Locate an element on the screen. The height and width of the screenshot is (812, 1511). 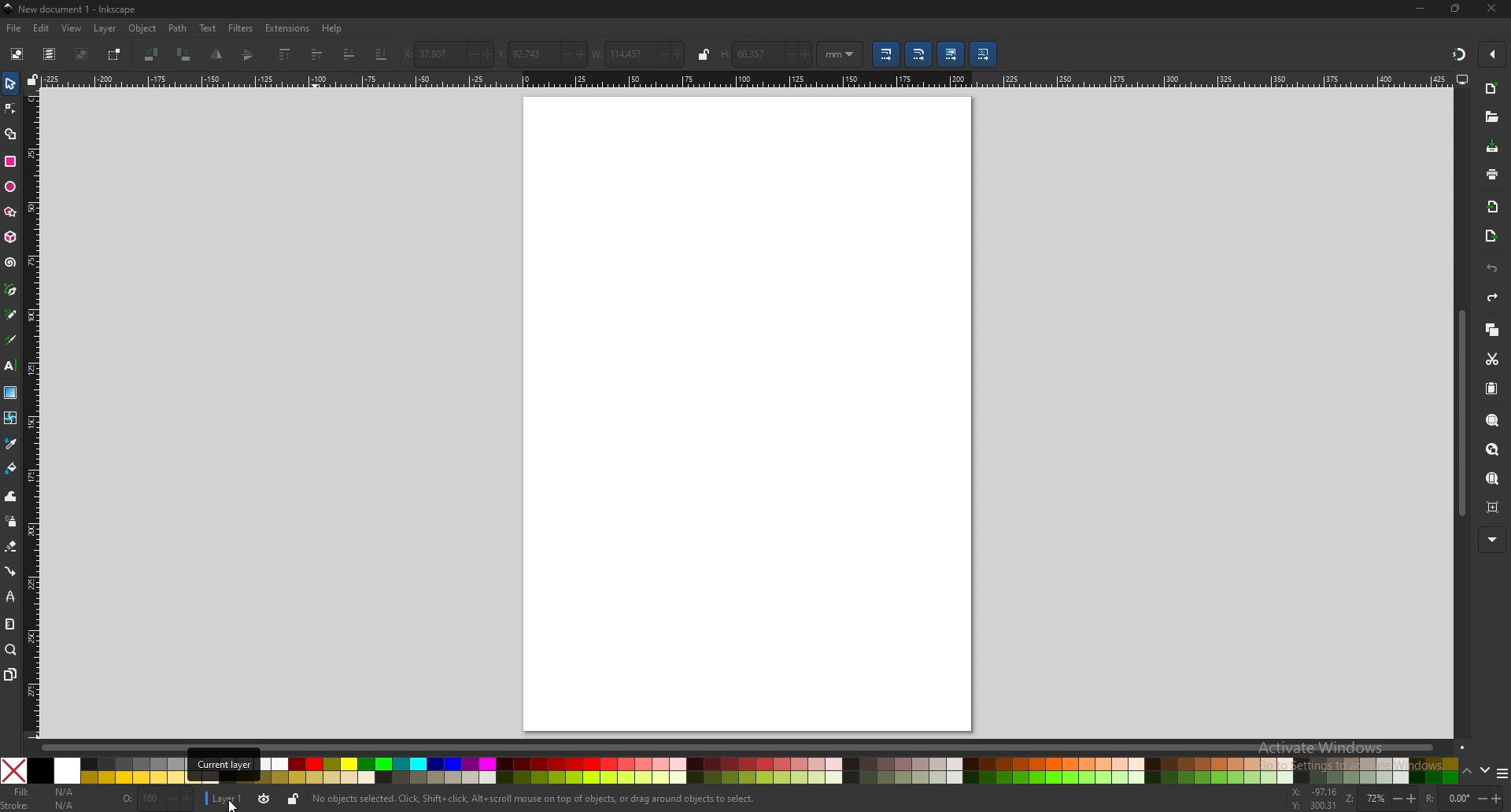
title is located at coordinates (75, 9).